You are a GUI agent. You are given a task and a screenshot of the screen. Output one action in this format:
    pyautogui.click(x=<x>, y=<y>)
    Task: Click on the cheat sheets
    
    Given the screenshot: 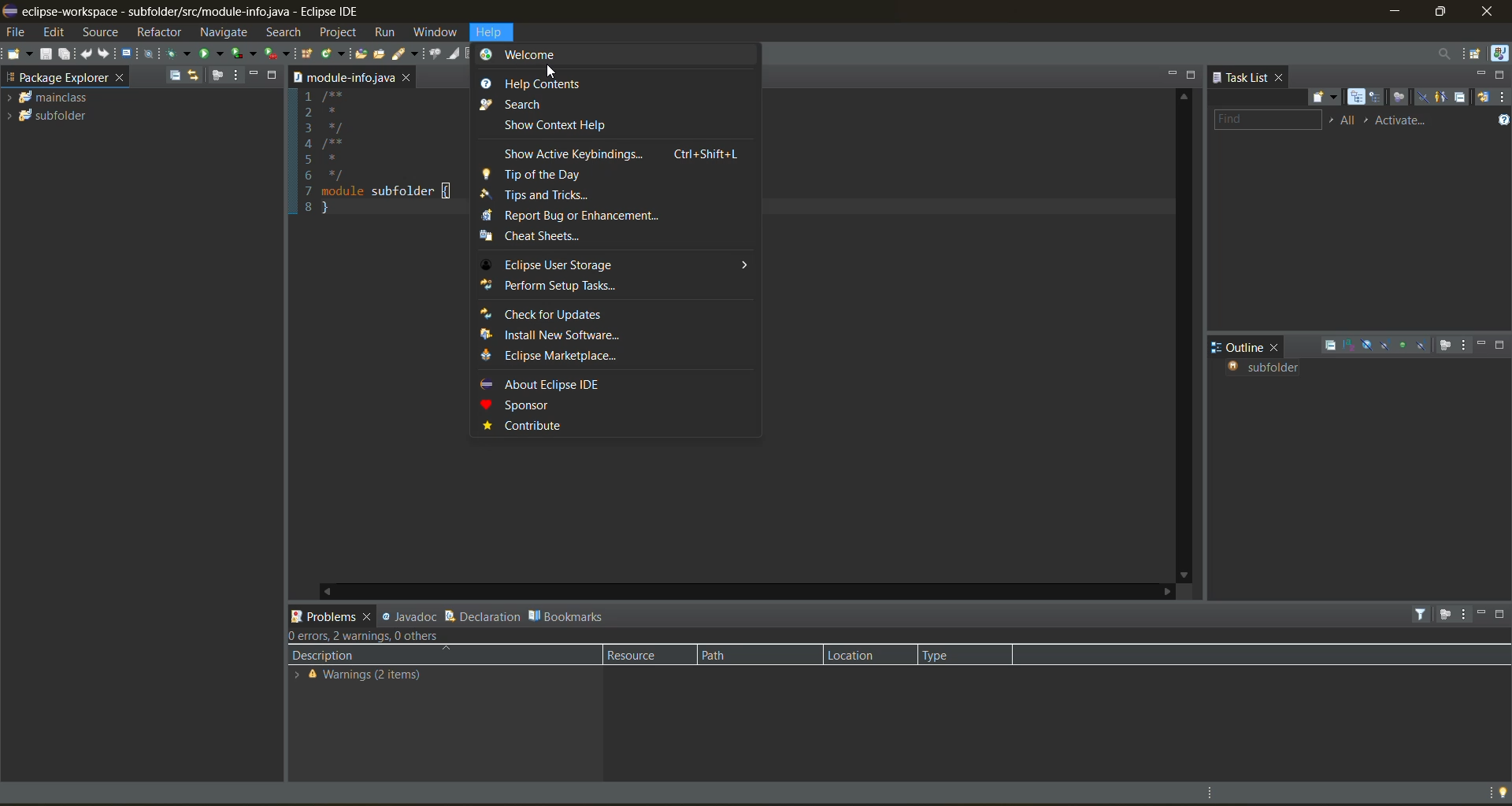 What is the action you would take?
    pyautogui.click(x=570, y=238)
    